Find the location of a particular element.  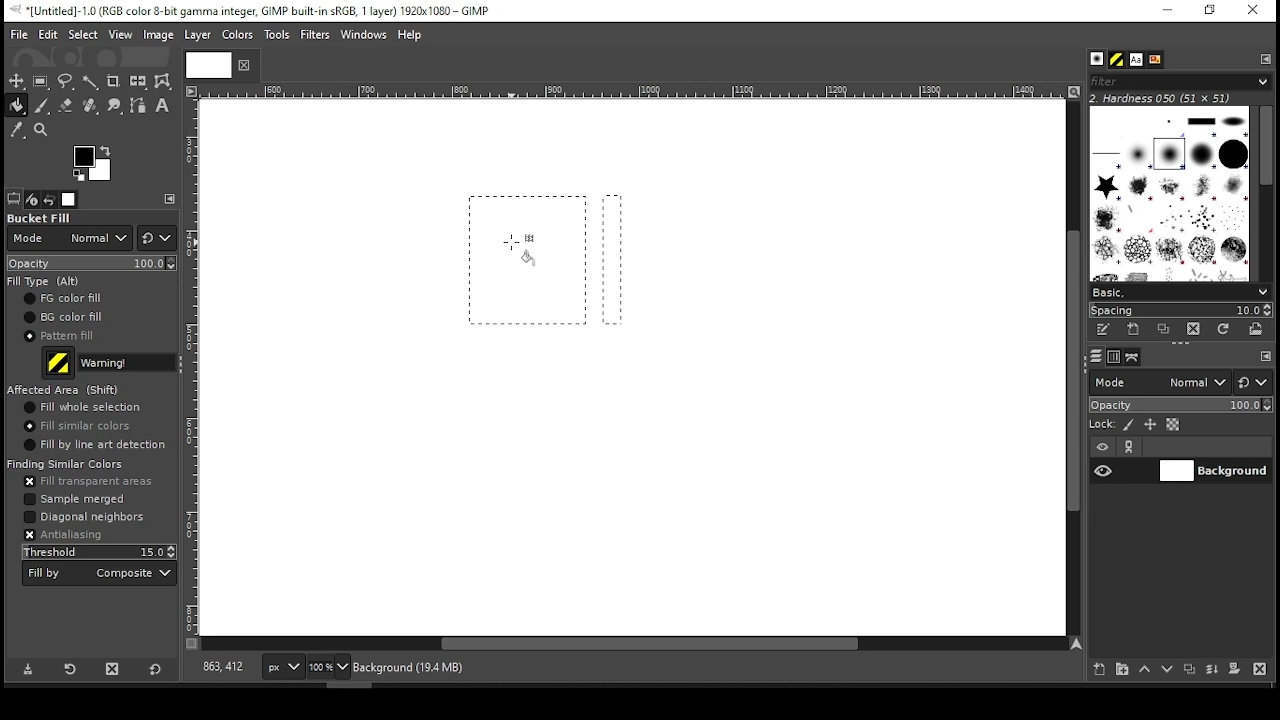

filters is located at coordinates (1177, 82).